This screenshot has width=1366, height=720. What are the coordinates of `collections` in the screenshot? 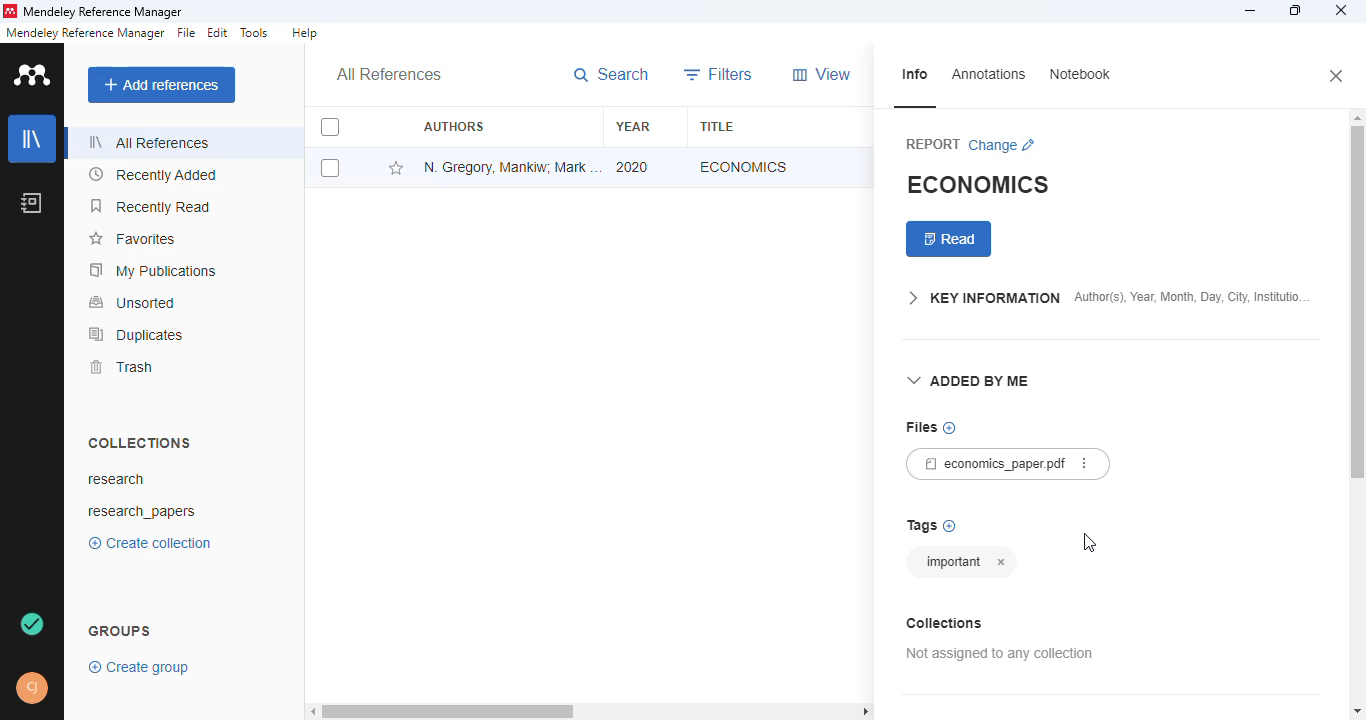 It's located at (943, 623).